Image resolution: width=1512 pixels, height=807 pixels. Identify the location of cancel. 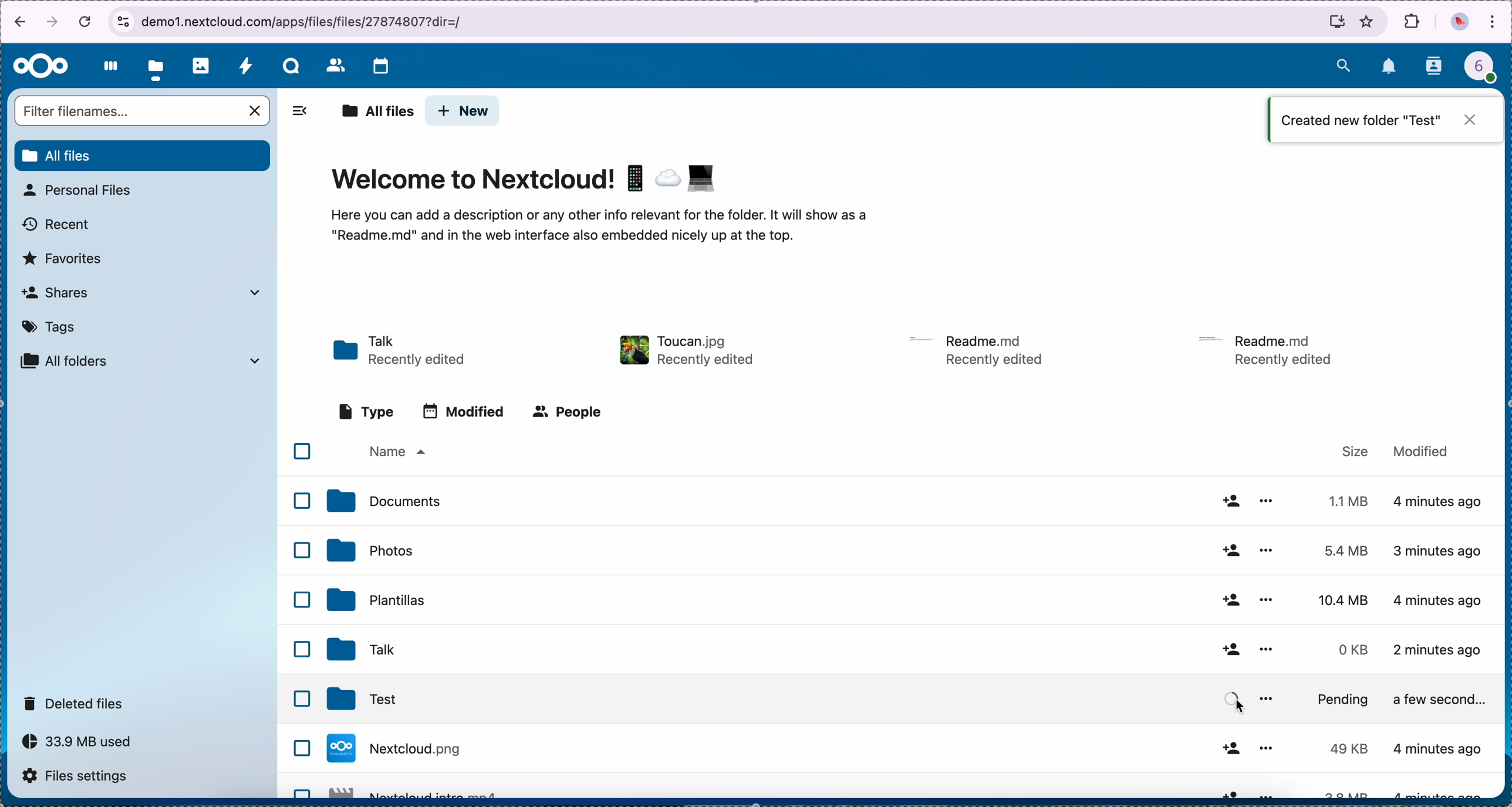
(87, 21).